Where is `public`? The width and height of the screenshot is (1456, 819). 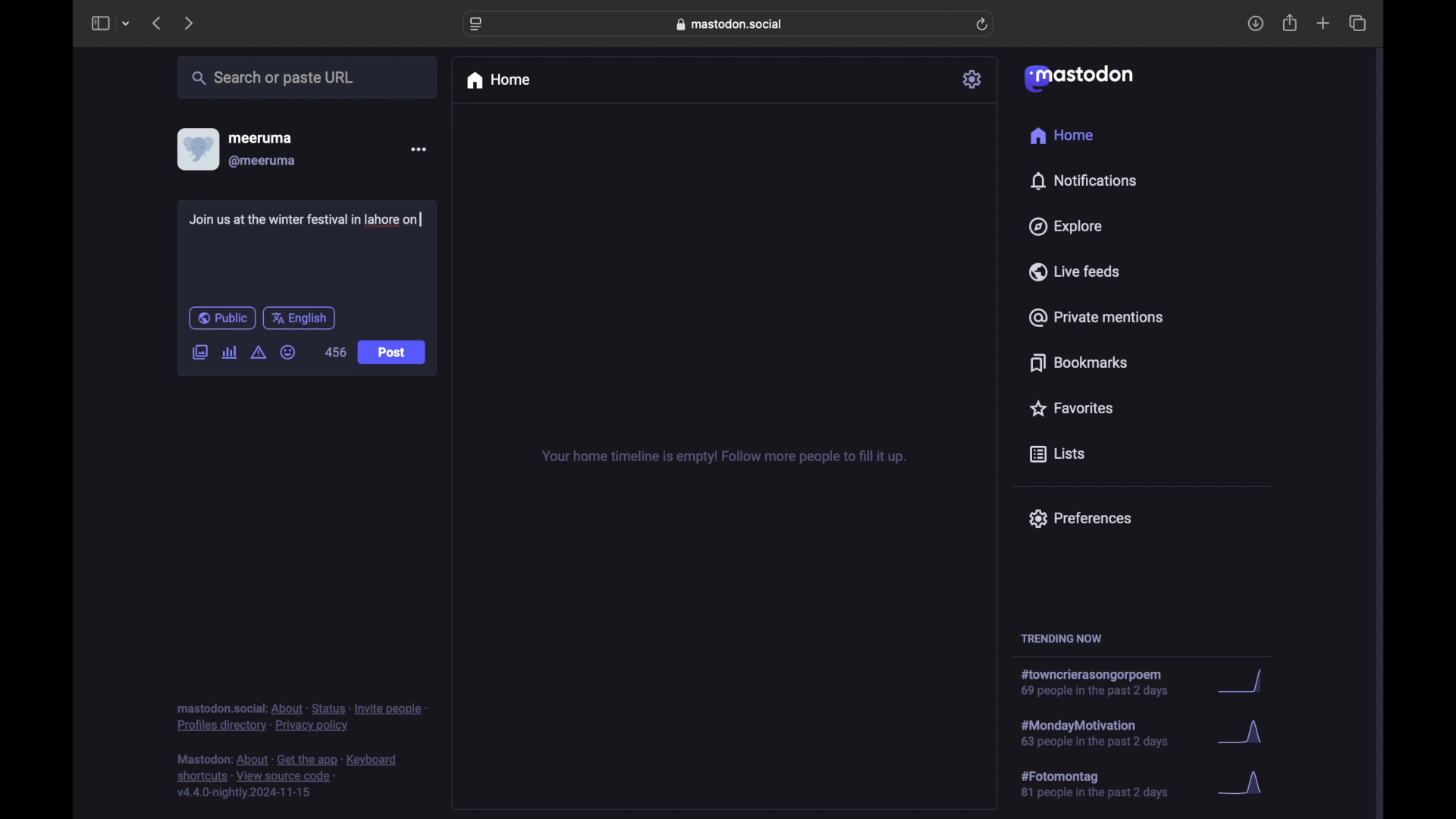 public is located at coordinates (221, 318).